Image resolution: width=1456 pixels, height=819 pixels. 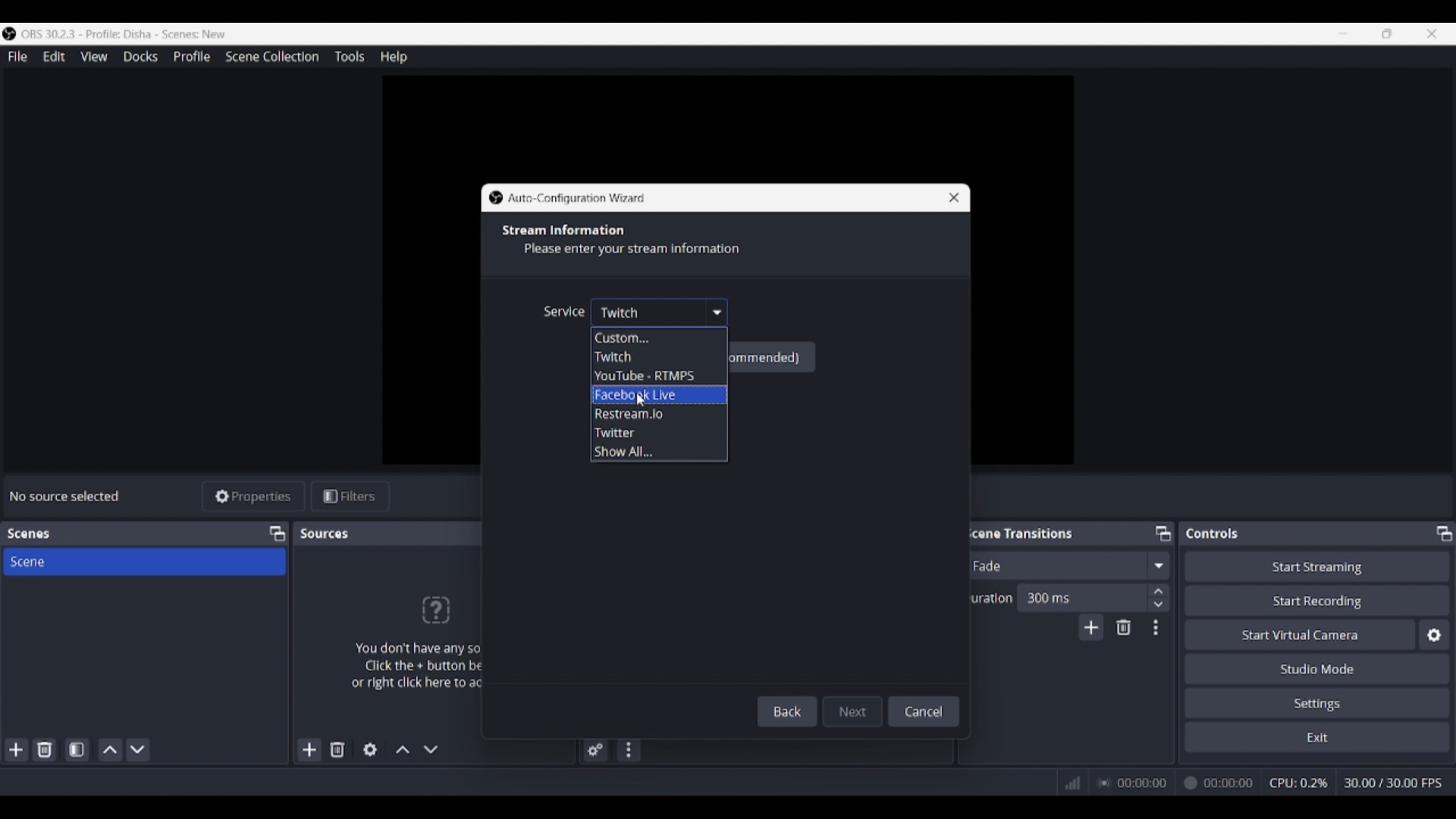 What do you see at coordinates (1124, 627) in the screenshot?
I see `Remove configurble transition` at bounding box center [1124, 627].